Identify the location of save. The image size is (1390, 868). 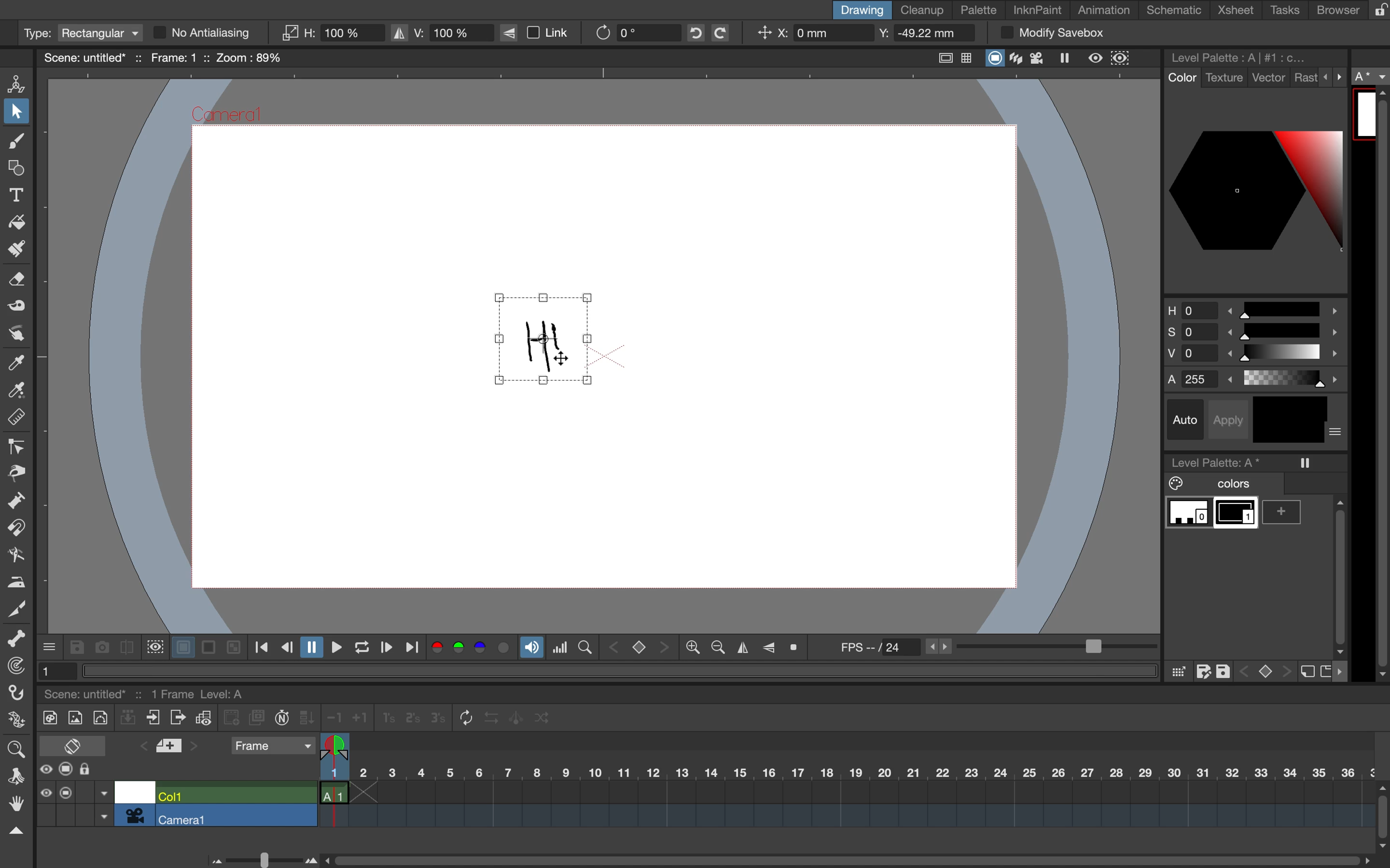
(1225, 669).